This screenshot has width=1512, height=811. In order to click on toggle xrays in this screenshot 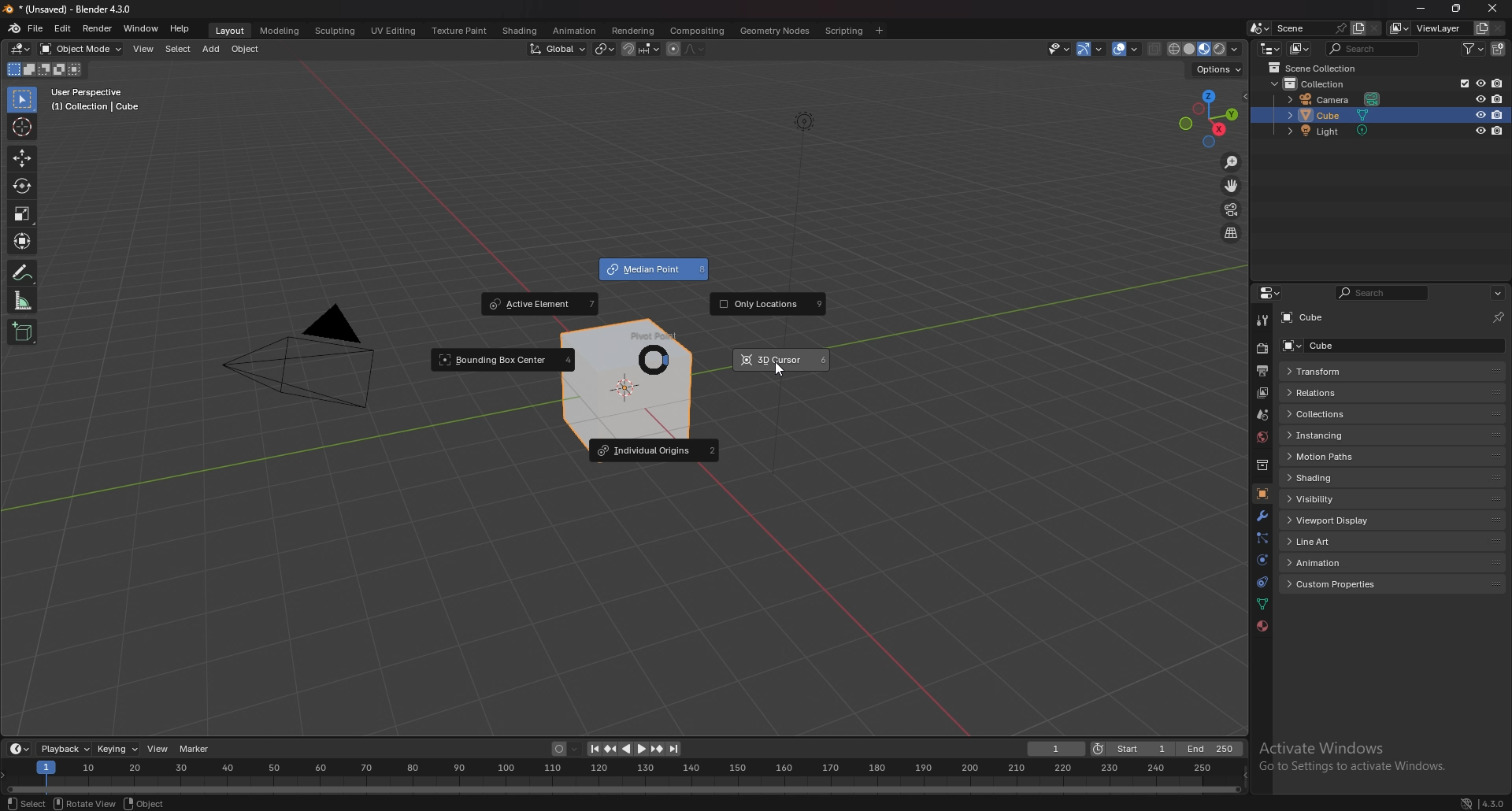, I will do `click(1155, 50)`.